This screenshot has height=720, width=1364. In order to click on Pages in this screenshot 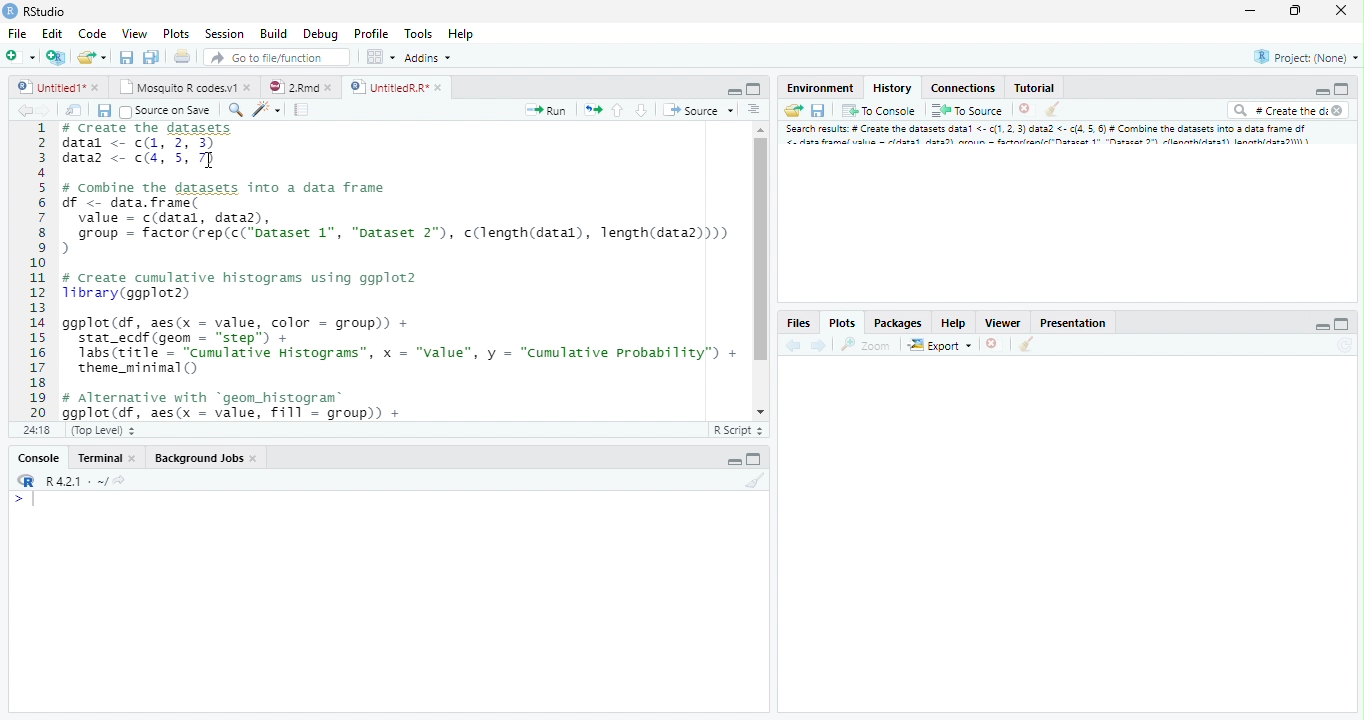, I will do `click(593, 112)`.